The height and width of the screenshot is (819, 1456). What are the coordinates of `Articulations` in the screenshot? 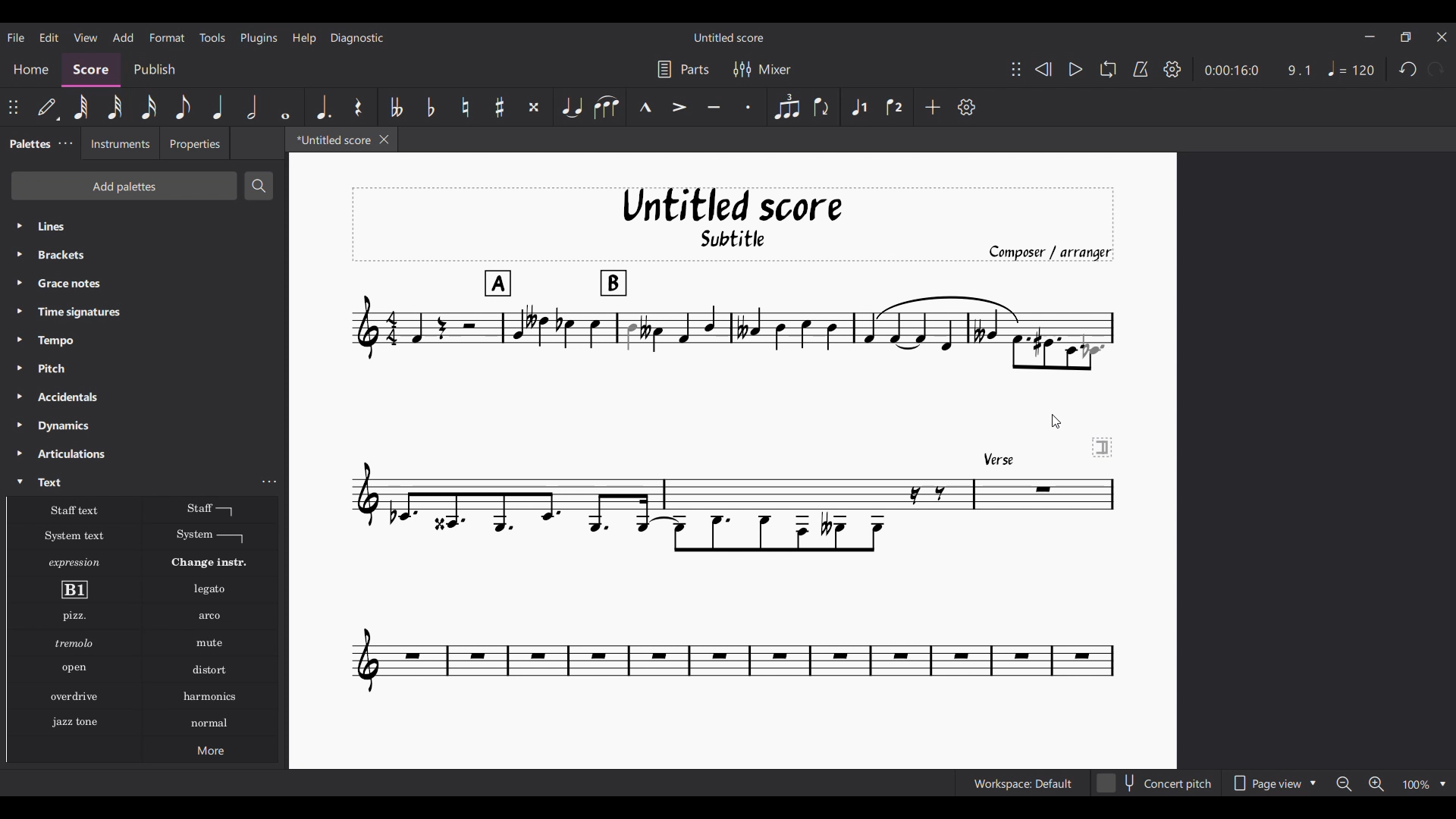 It's located at (145, 453).